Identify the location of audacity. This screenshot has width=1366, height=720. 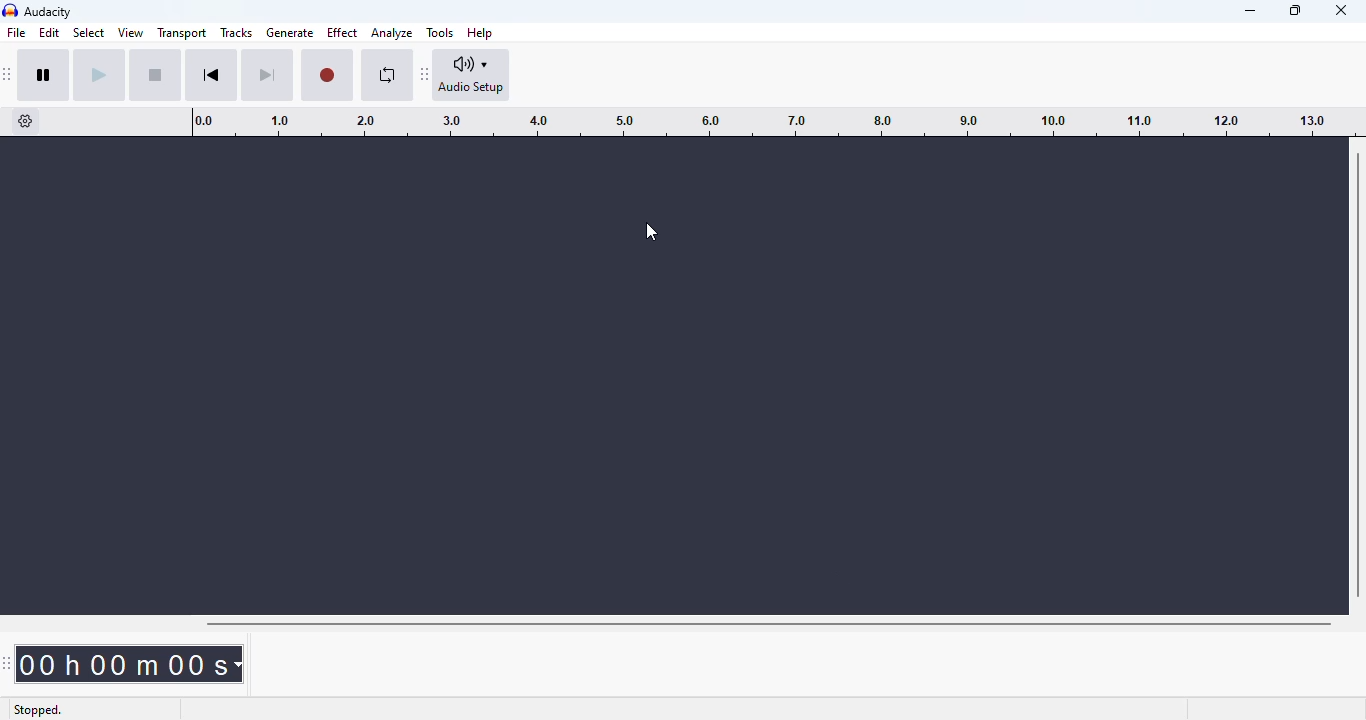
(49, 12).